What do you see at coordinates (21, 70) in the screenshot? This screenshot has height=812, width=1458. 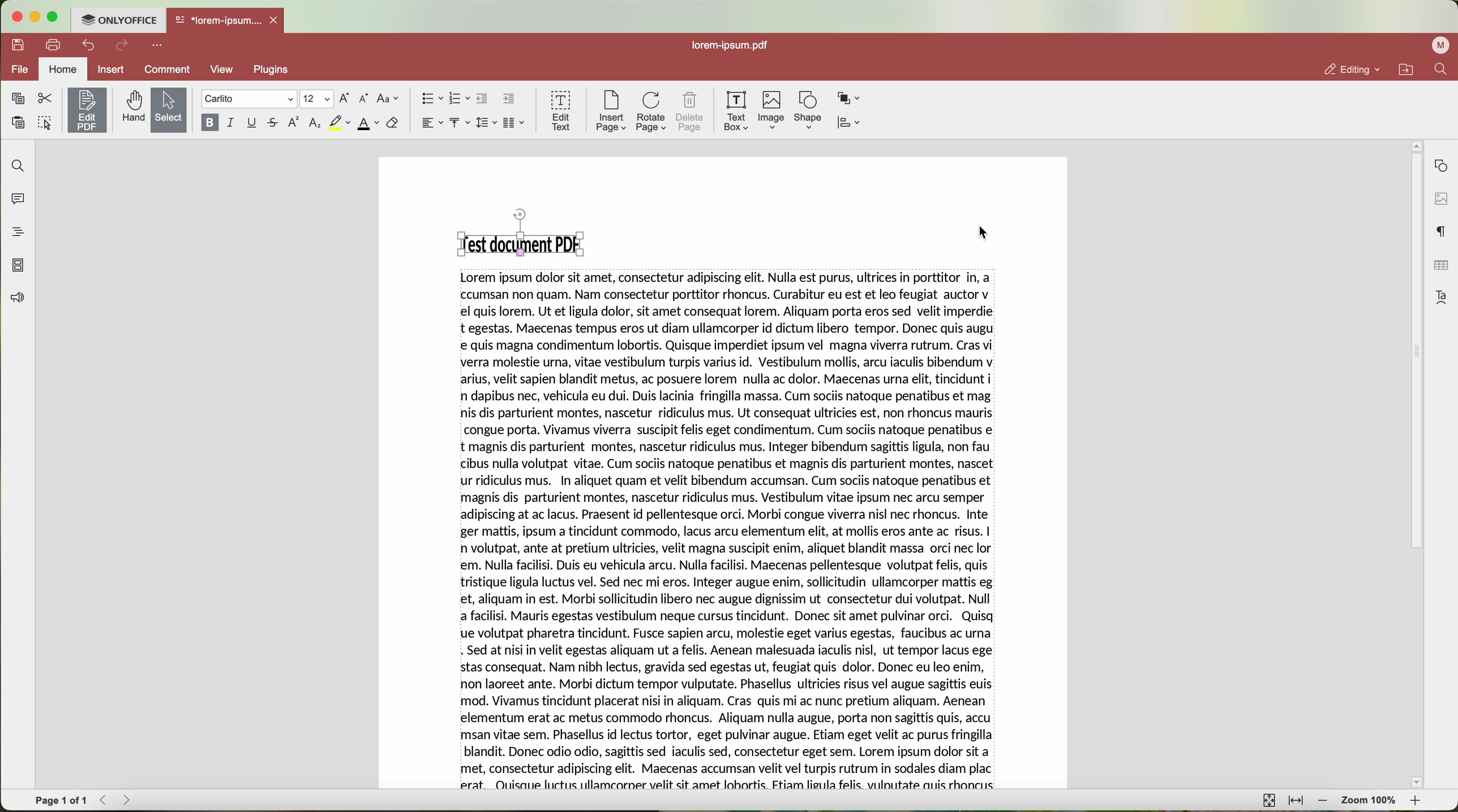 I see `file` at bounding box center [21, 70].